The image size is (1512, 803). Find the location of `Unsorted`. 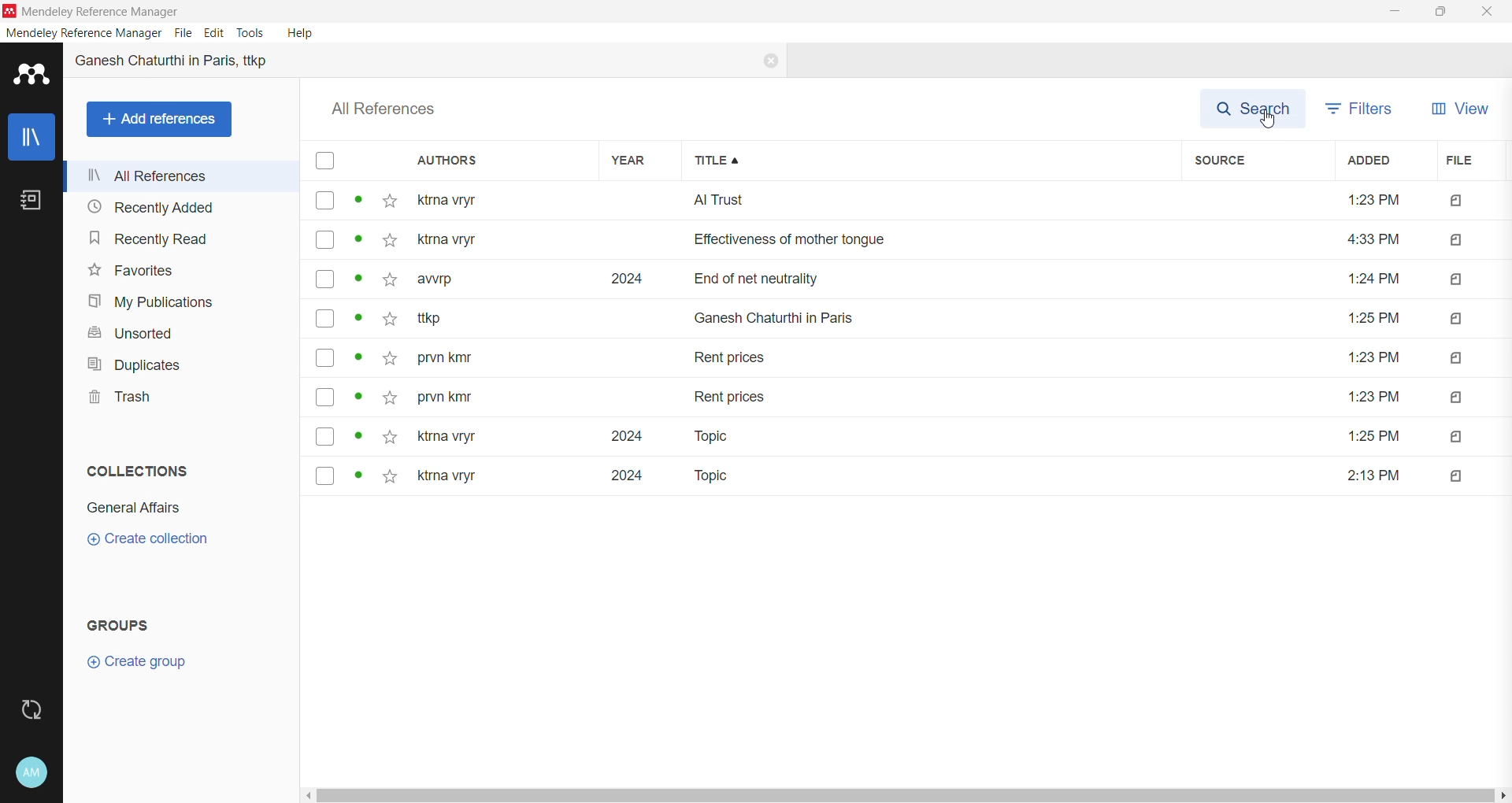

Unsorted is located at coordinates (128, 334).